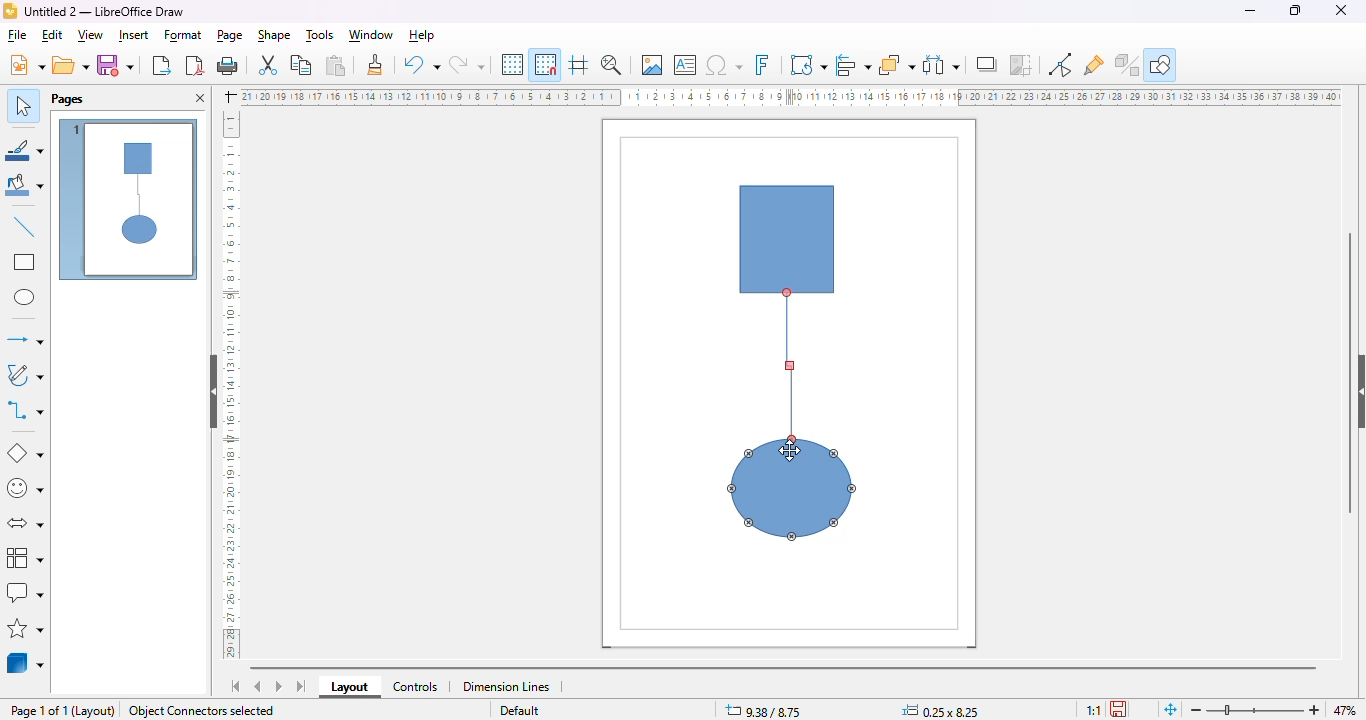  What do you see at coordinates (1311, 710) in the screenshot?
I see `zoom in` at bounding box center [1311, 710].